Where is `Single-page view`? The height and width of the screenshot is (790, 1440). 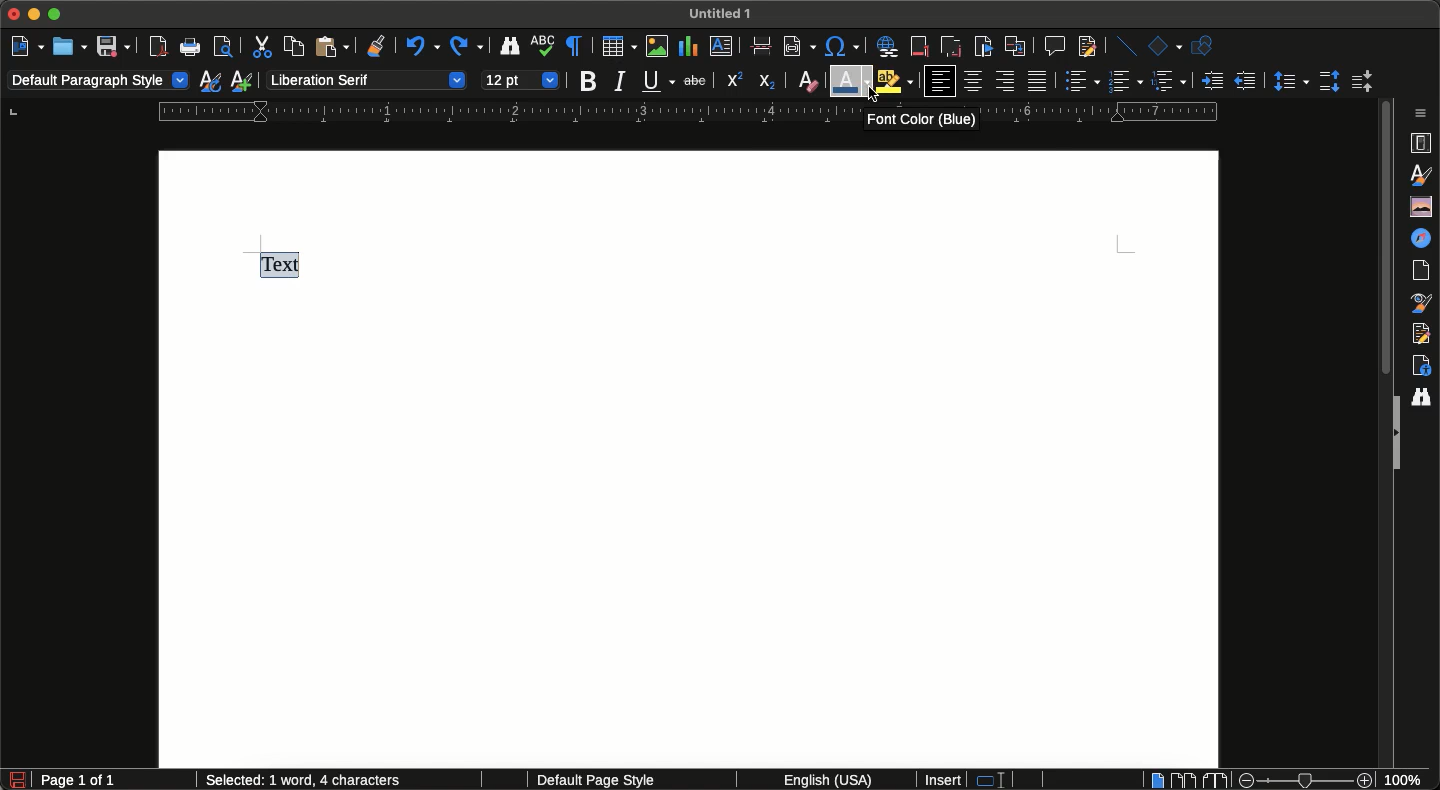
Single-page view is located at coordinates (1156, 780).